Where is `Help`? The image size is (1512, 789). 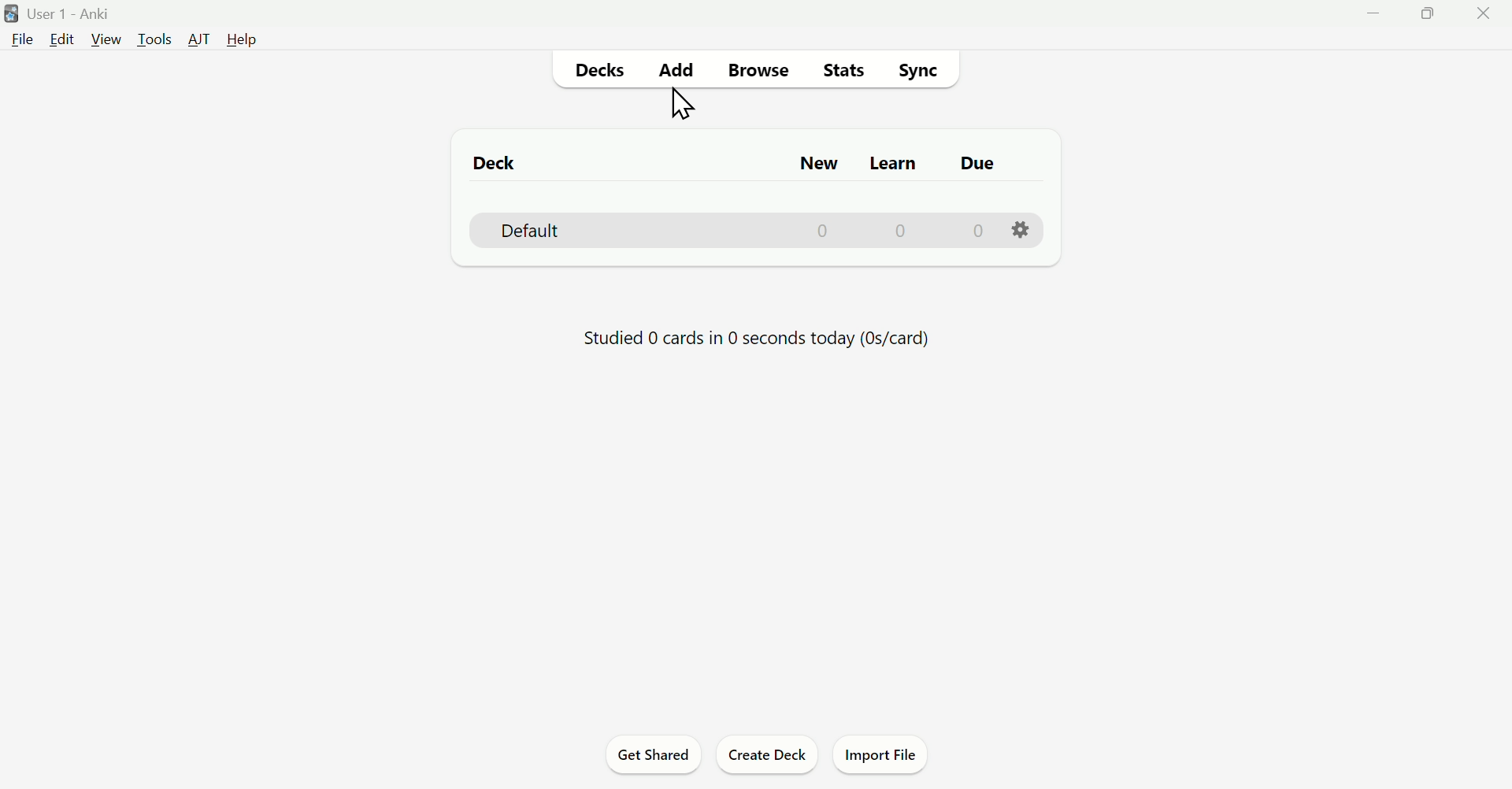
Help is located at coordinates (246, 38).